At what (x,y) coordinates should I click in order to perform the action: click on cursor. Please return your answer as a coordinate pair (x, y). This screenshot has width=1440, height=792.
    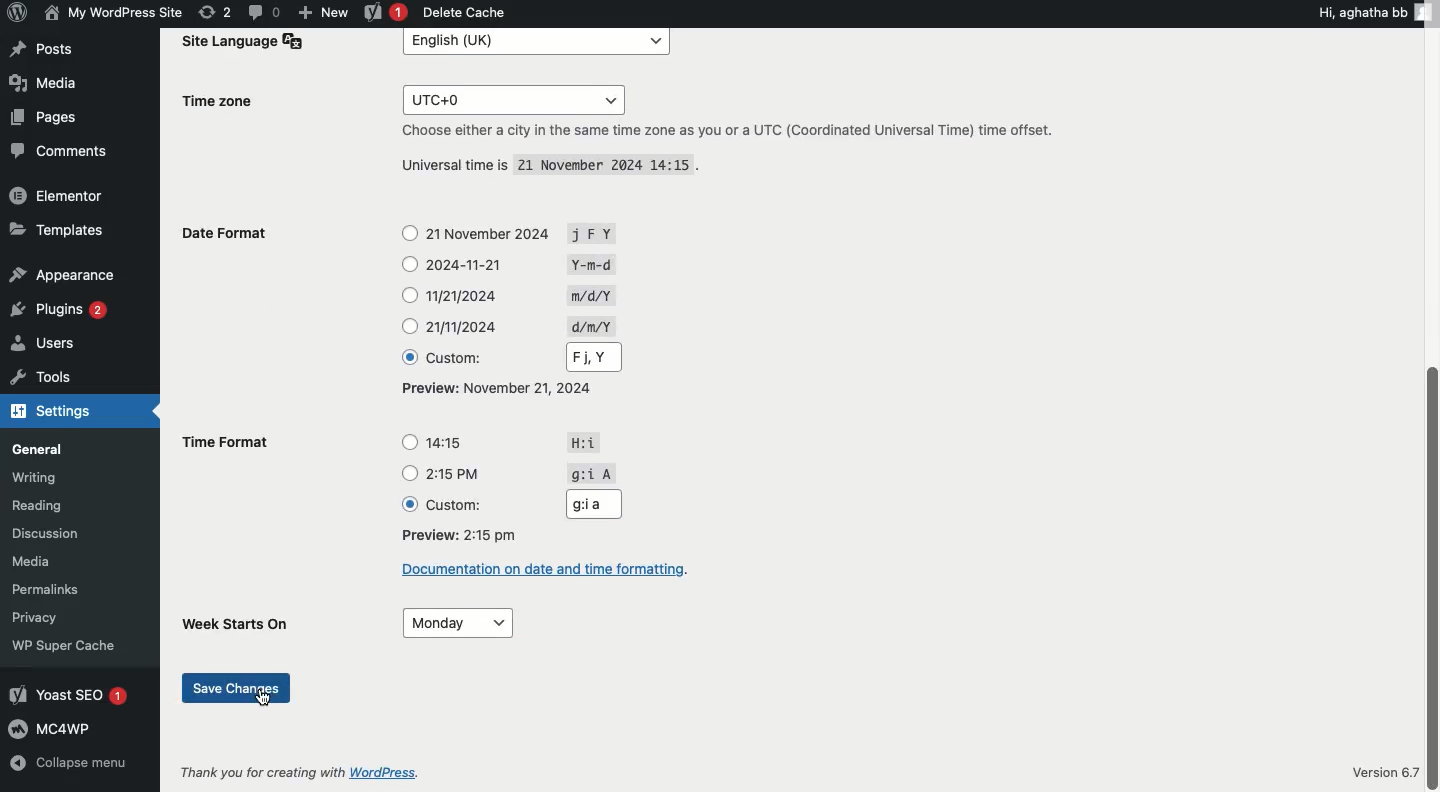
    Looking at the image, I should click on (258, 697).